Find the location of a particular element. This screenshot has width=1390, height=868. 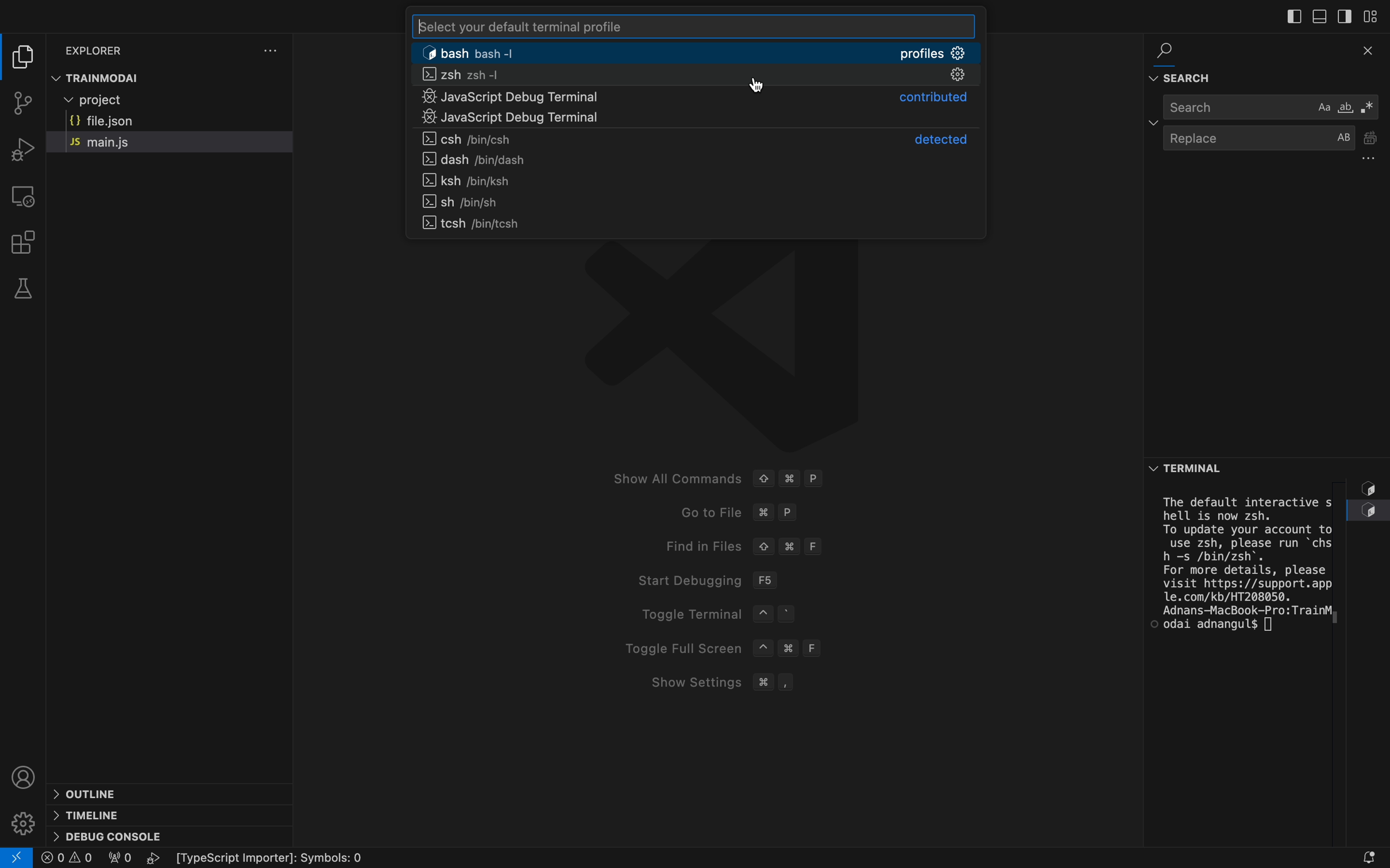

notification is located at coordinates (1371, 852).